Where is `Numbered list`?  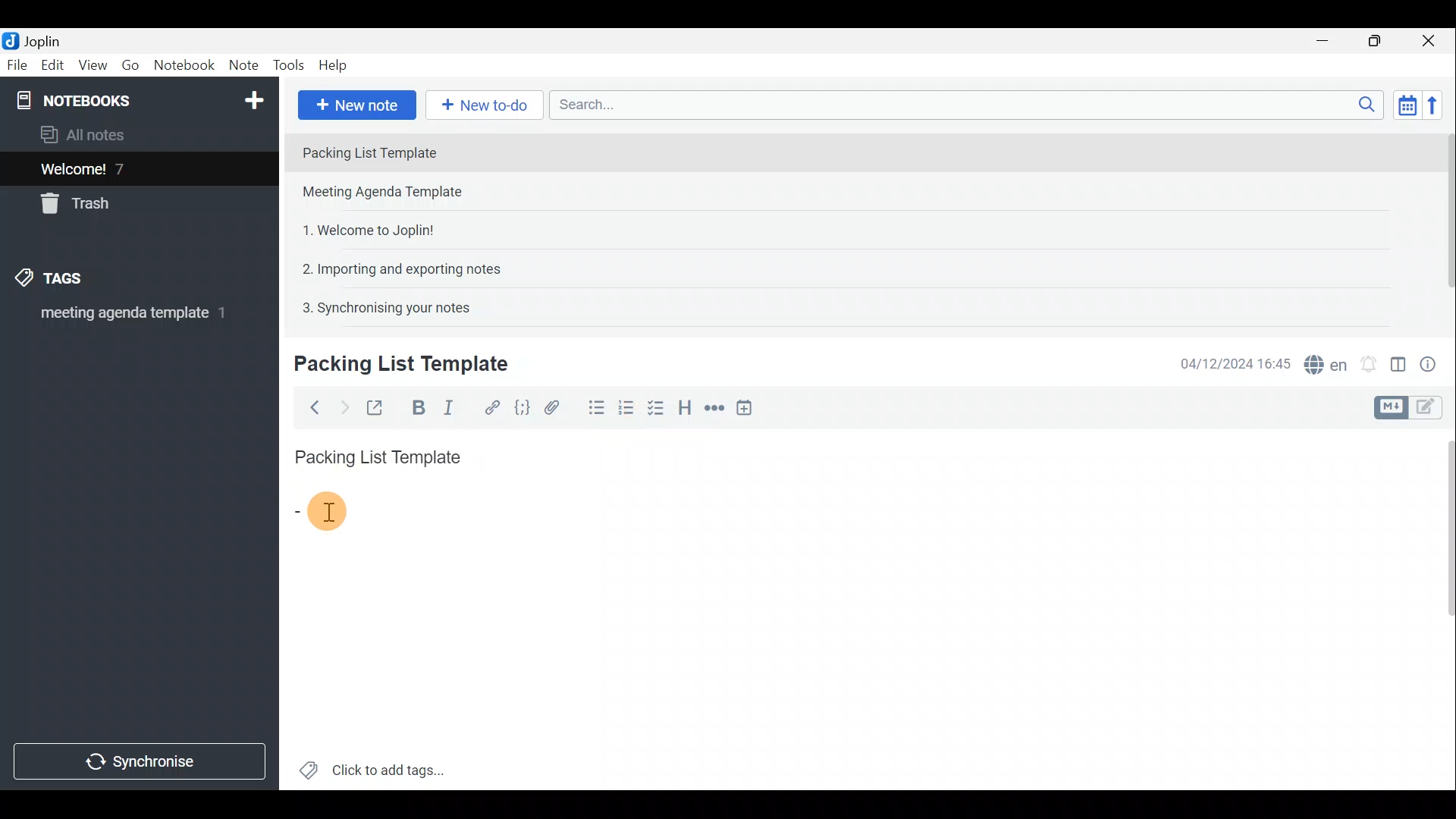
Numbered list is located at coordinates (630, 412).